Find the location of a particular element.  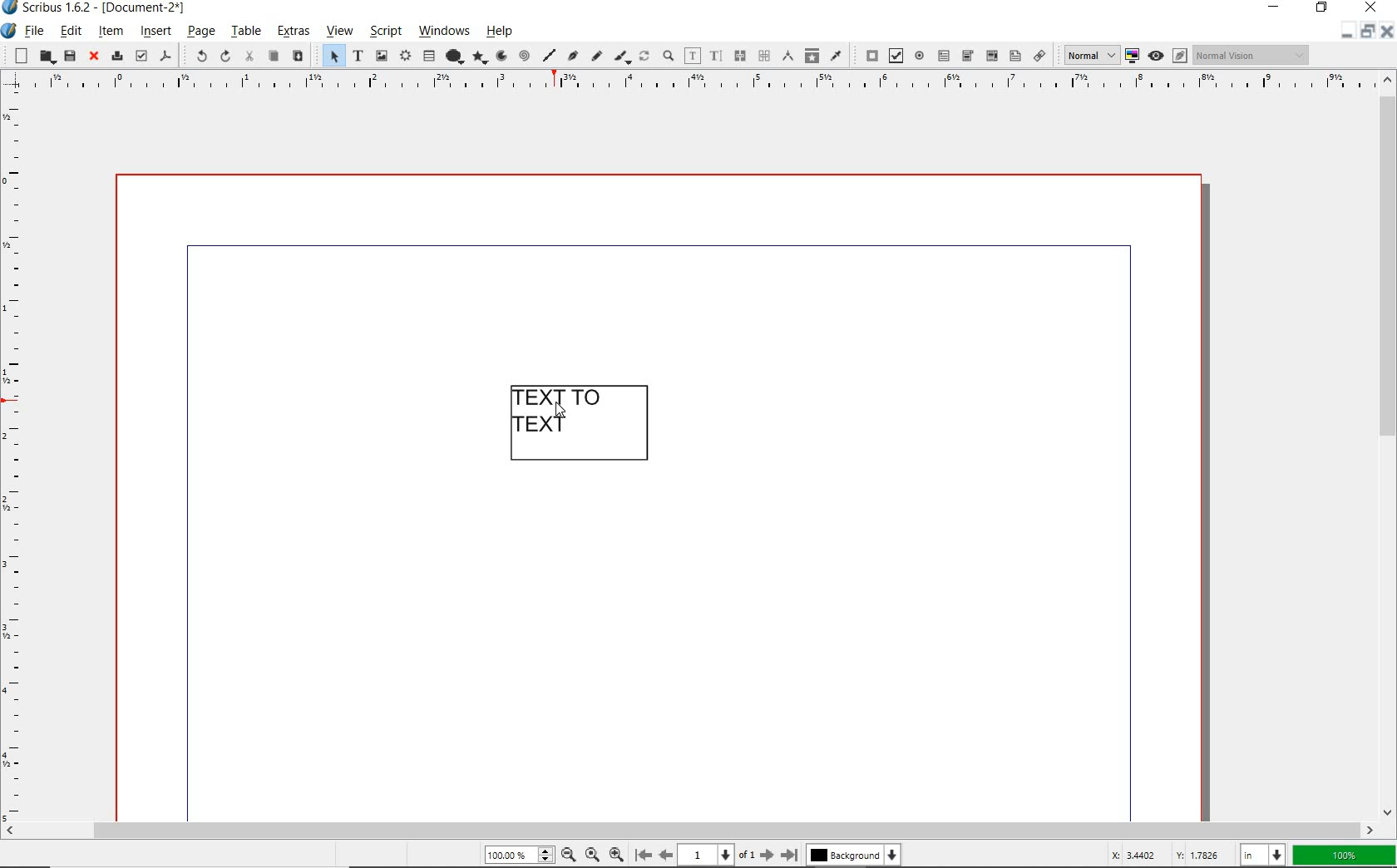

paste is located at coordinates (298, 56).